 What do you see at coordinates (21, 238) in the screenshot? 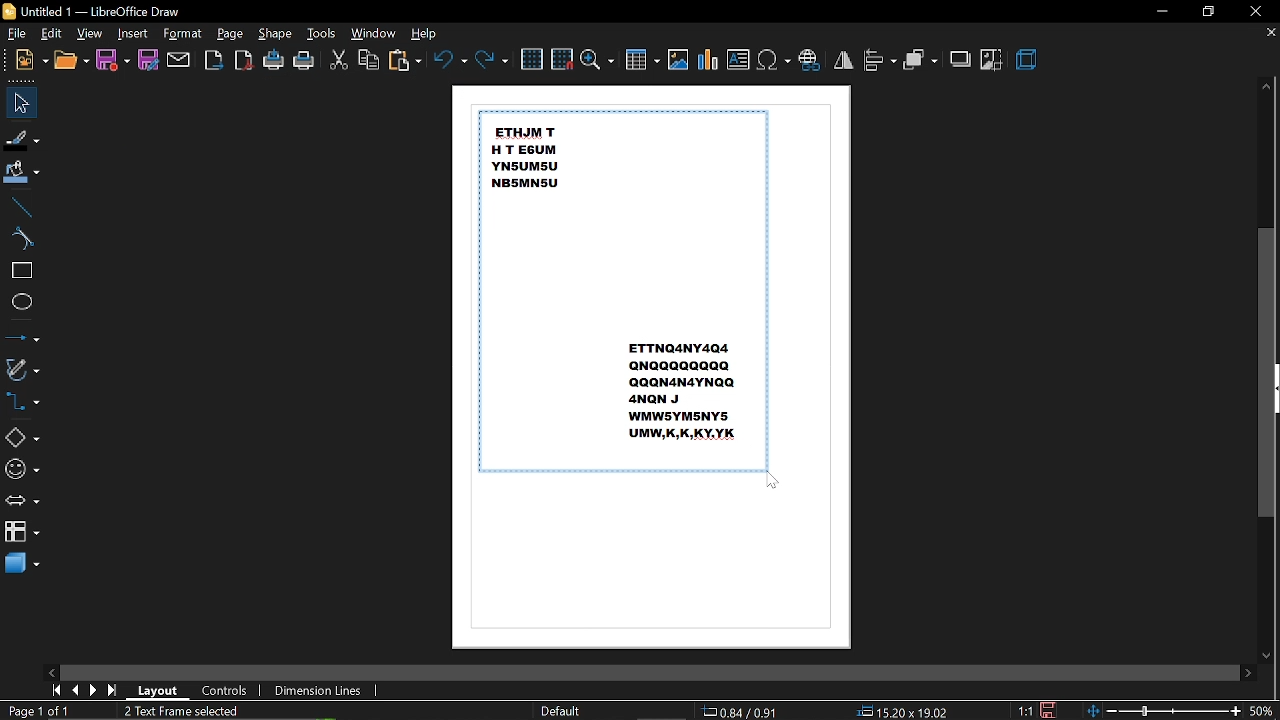
I see `curve` at bounding box center [21, 238].